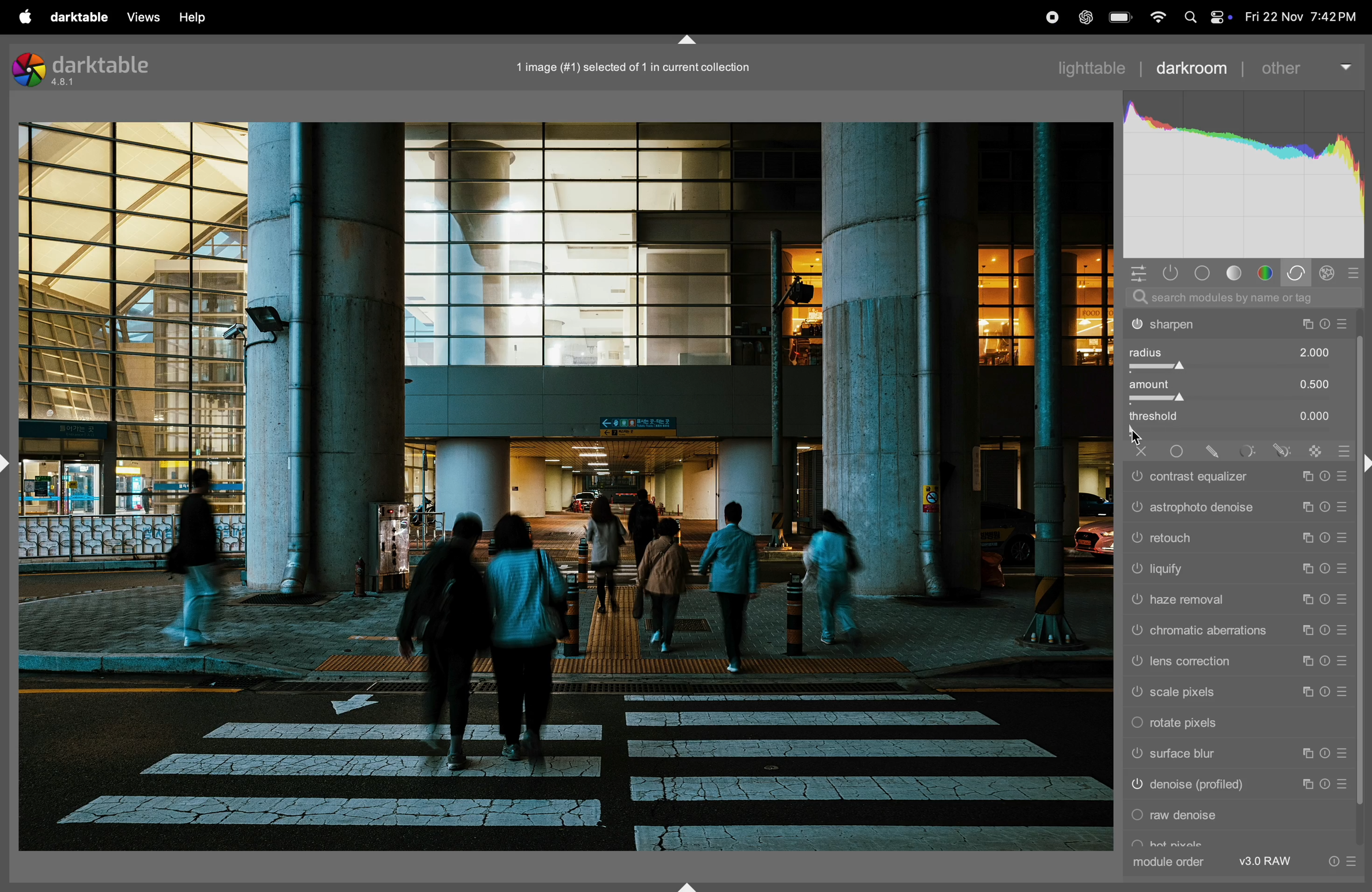 The height and width of the screenshot is (892, 1372). I want to click on apple widgets, so click(1220, 17).